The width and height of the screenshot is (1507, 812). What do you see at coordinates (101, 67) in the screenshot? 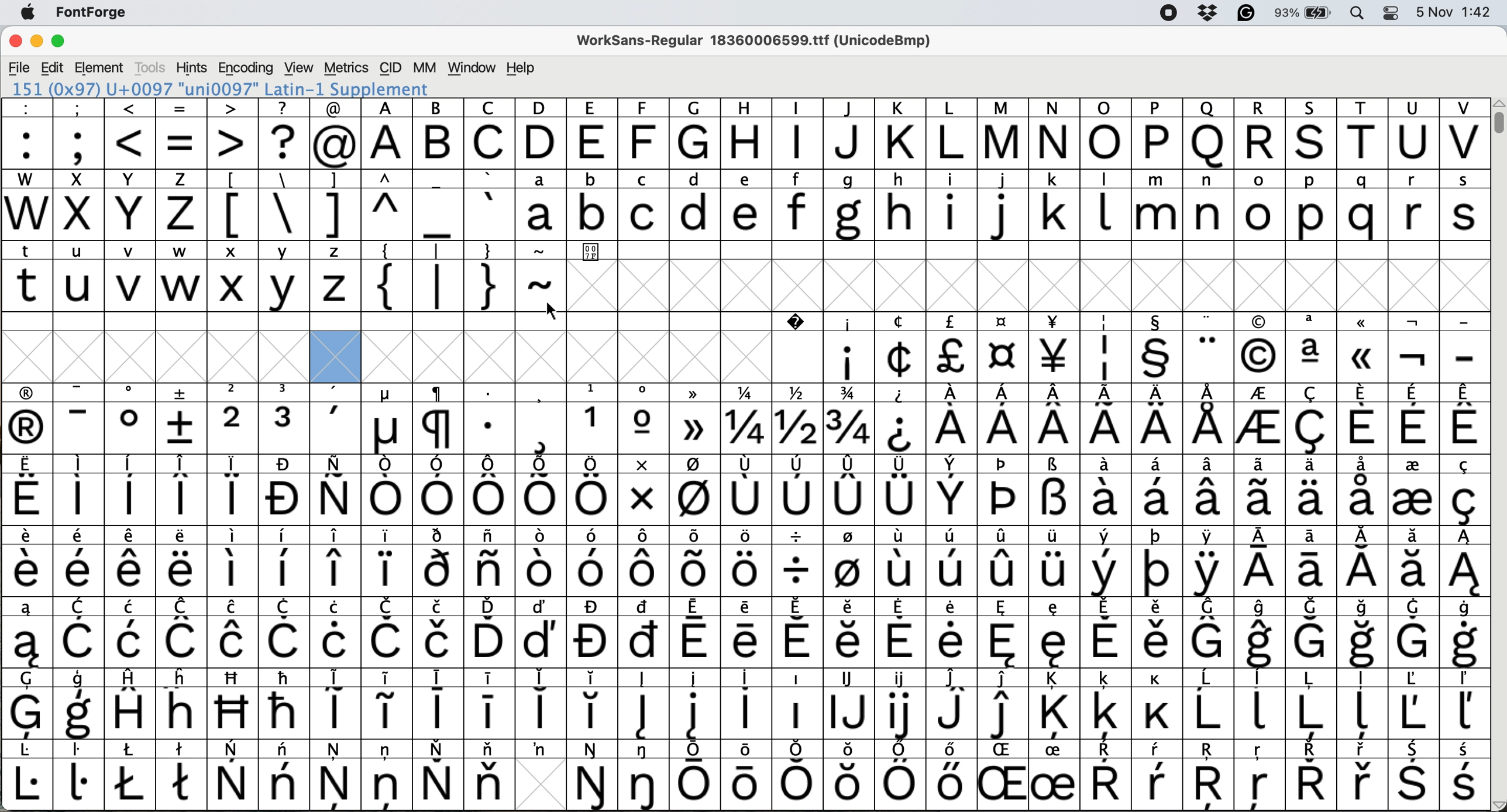
I see `element` at bounding box center [101, 67].